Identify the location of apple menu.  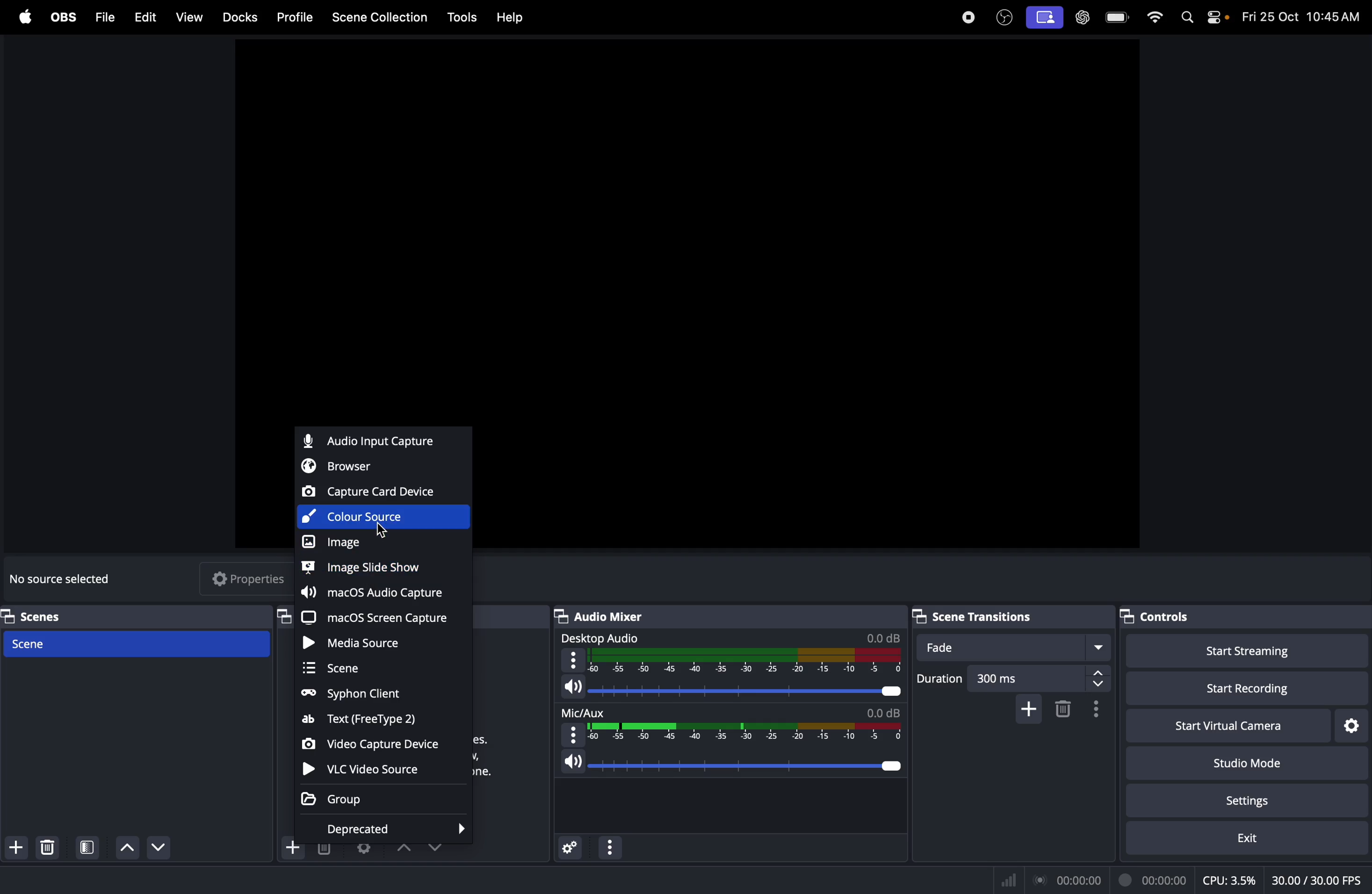
(25, 17).